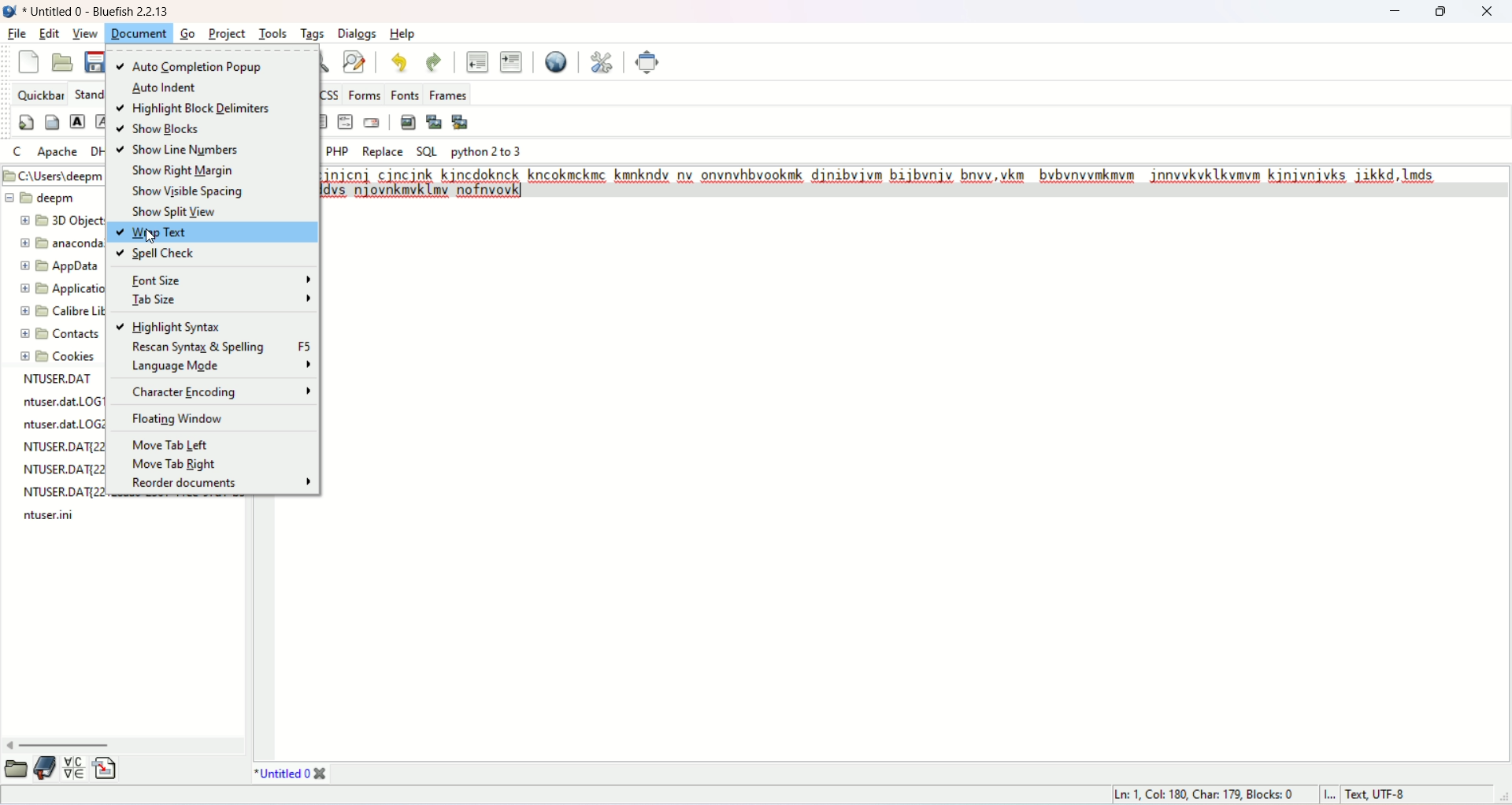 This screenshot has width=1512, height=805. What do you see at coordinates (602, 59) in the screenshot?
I see `edit preferences` at bounding box center [602, 59].